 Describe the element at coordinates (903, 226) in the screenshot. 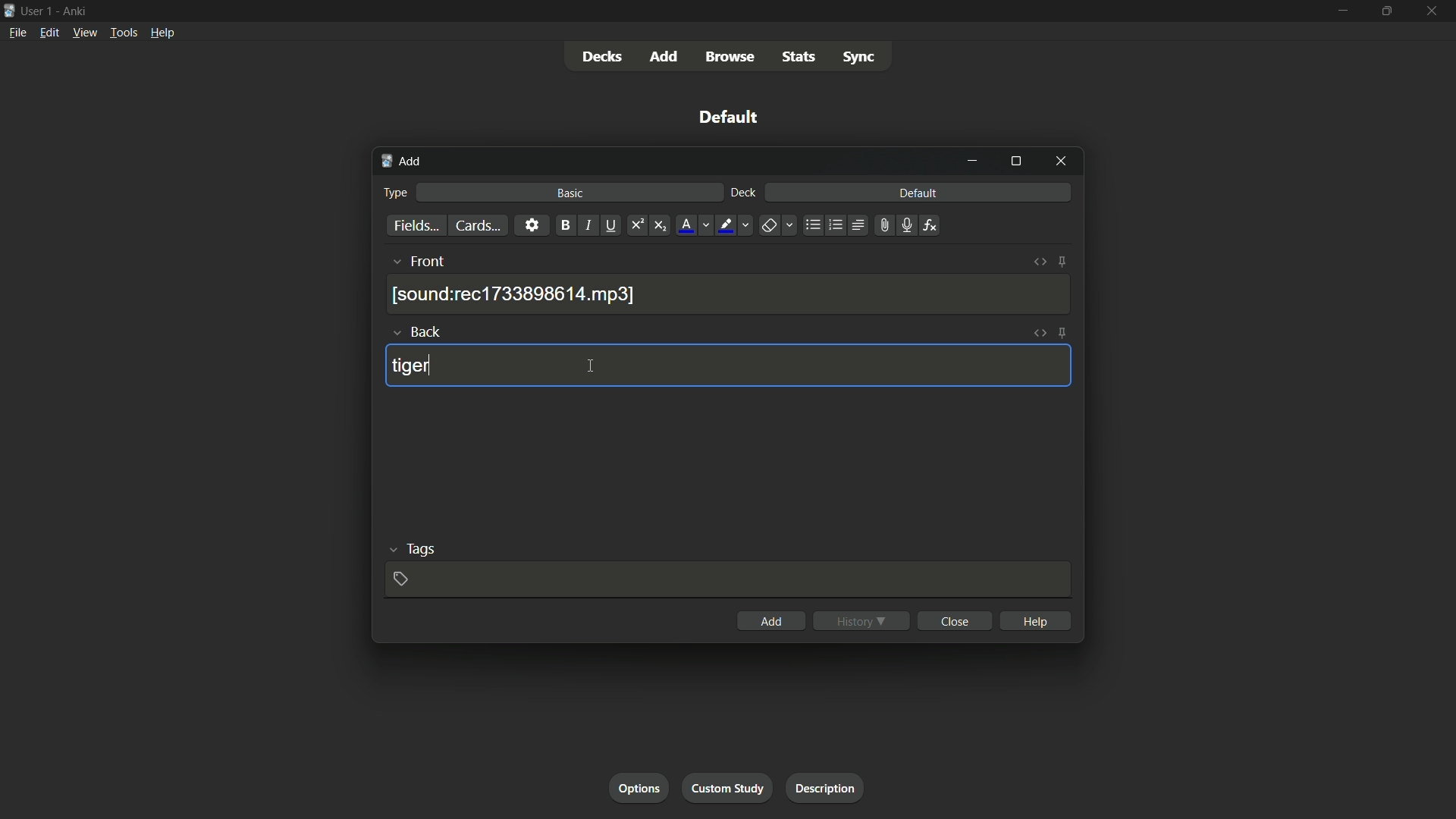

I see `record audio` at that location.